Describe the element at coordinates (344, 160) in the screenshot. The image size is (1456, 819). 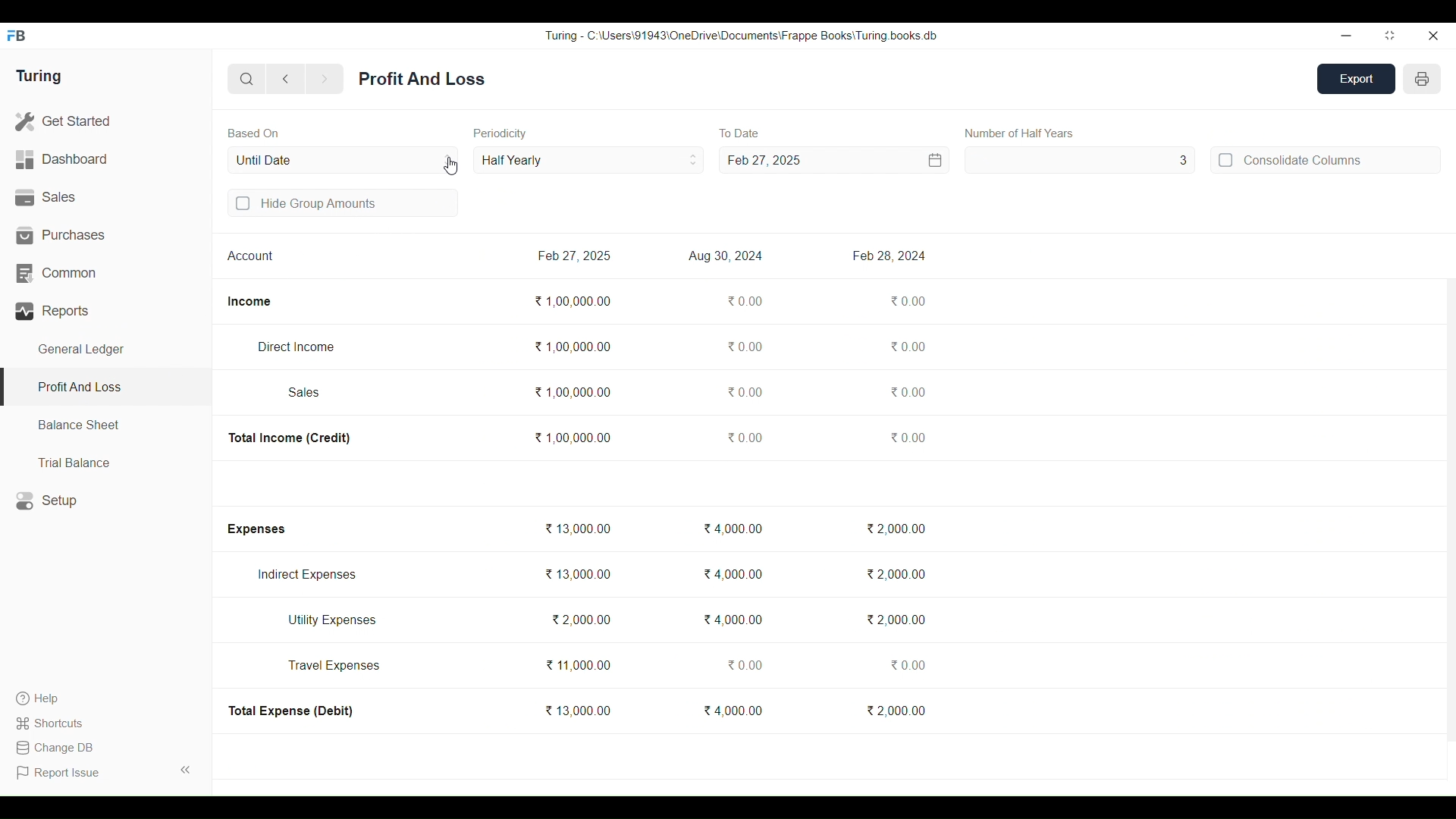
I see `Until Date` at that location.